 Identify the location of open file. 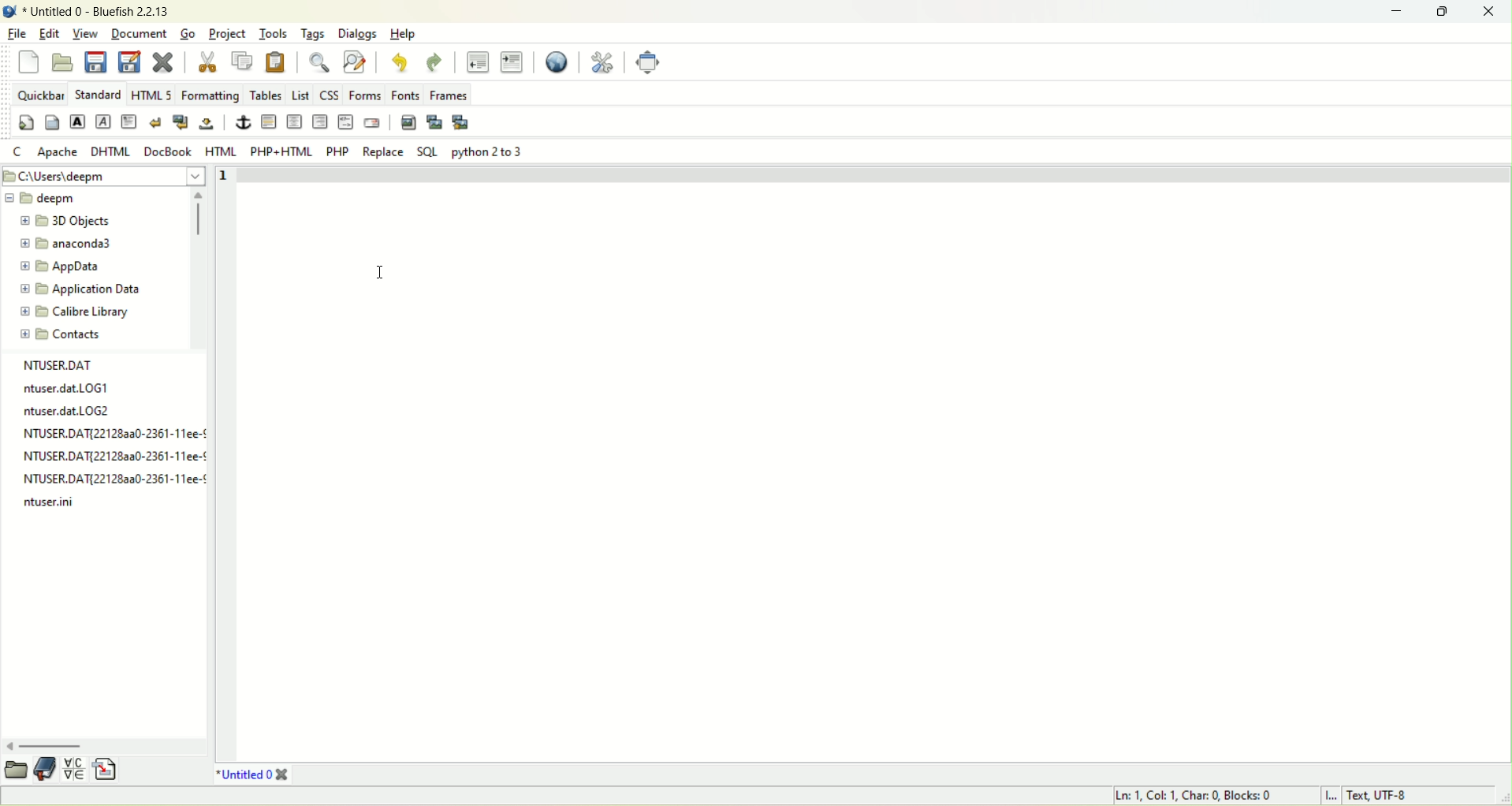
(65, 62).